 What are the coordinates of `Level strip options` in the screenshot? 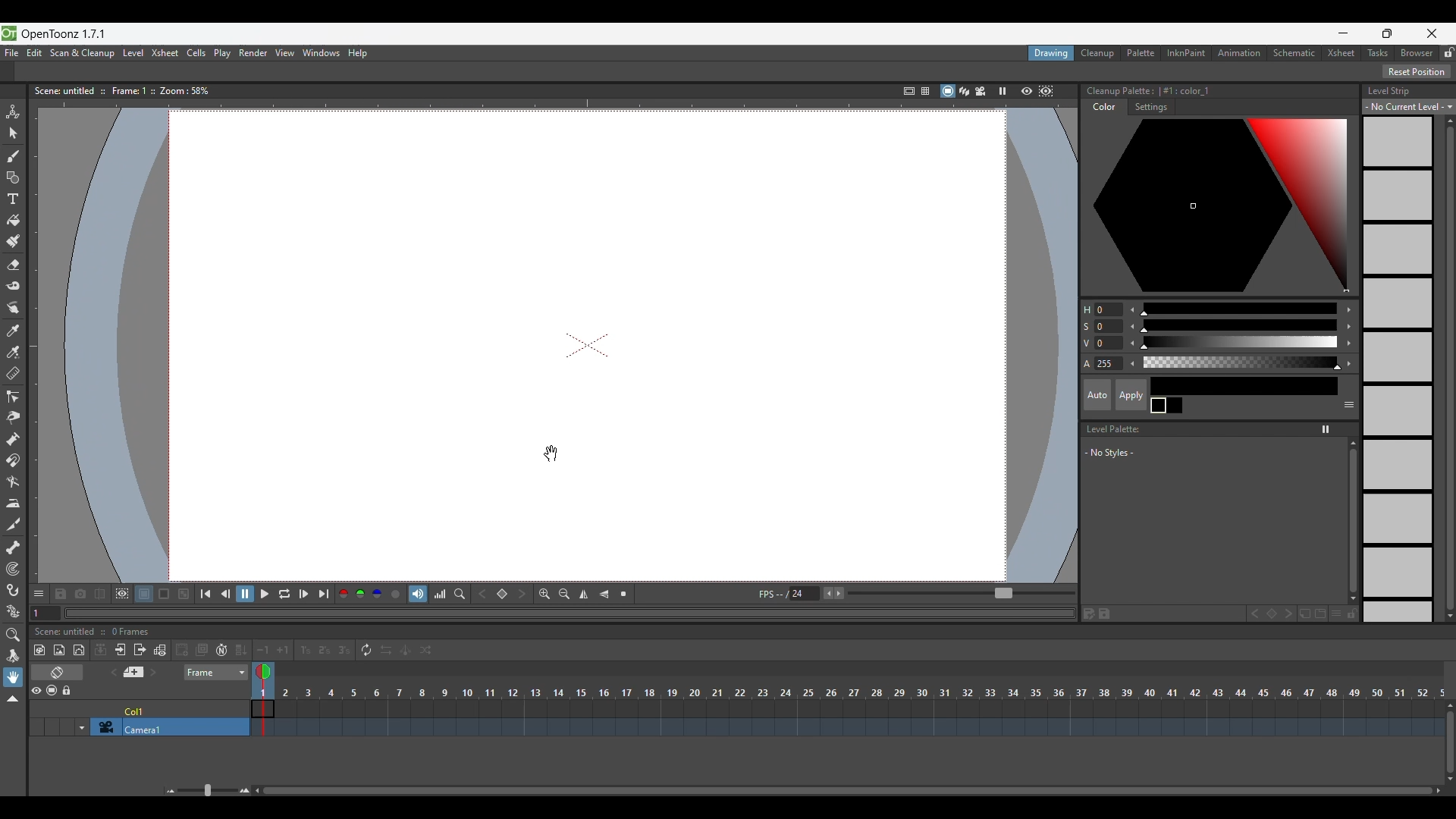 It's located at (1409, 106).